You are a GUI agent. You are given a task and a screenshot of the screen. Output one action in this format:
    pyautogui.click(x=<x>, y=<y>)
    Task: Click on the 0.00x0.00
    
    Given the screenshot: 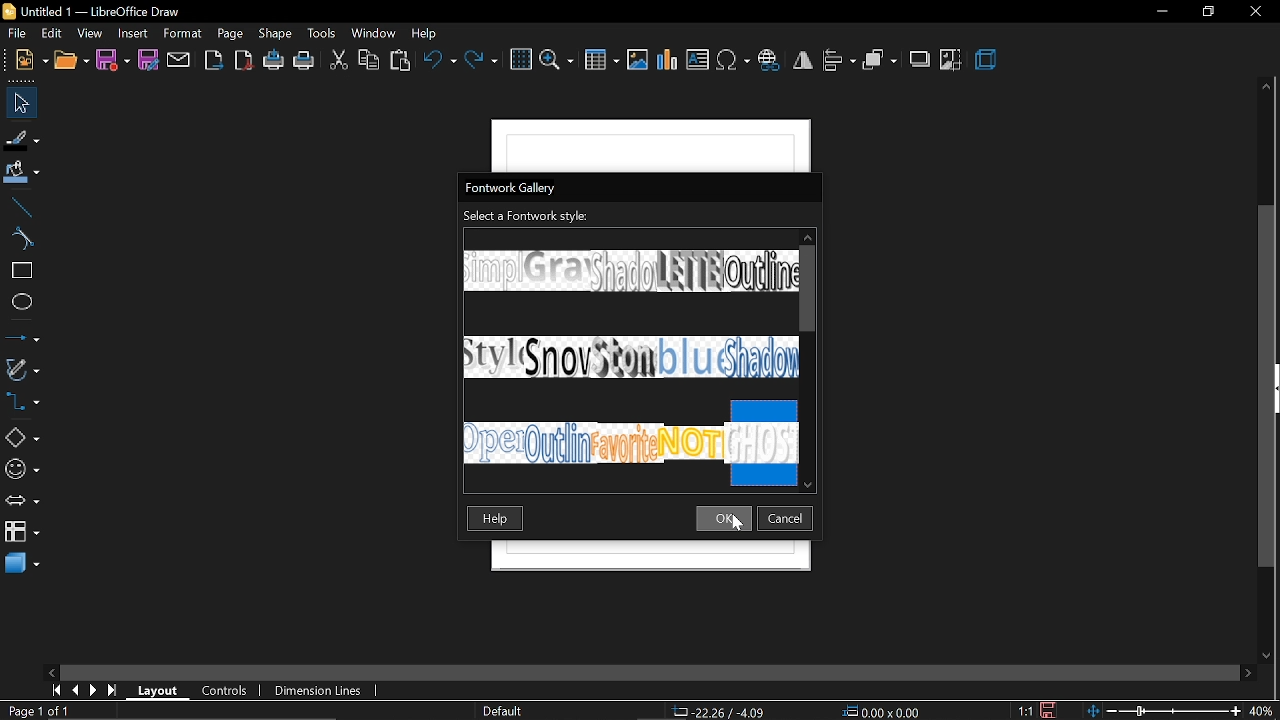 What is the action you would take?
    pyautogui.click(x=886, y=712)
    